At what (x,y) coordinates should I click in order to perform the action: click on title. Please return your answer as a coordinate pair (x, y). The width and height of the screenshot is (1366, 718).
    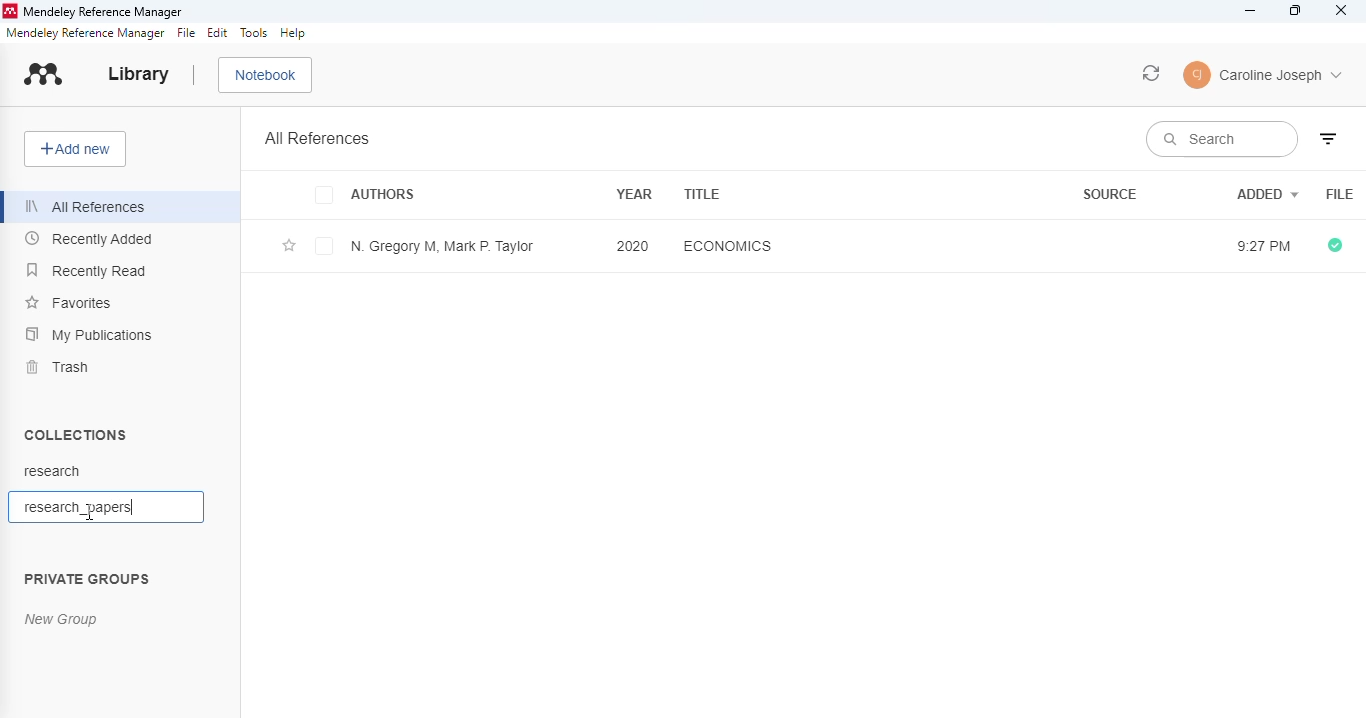
    Looking at the image, I should click on (703, 194).